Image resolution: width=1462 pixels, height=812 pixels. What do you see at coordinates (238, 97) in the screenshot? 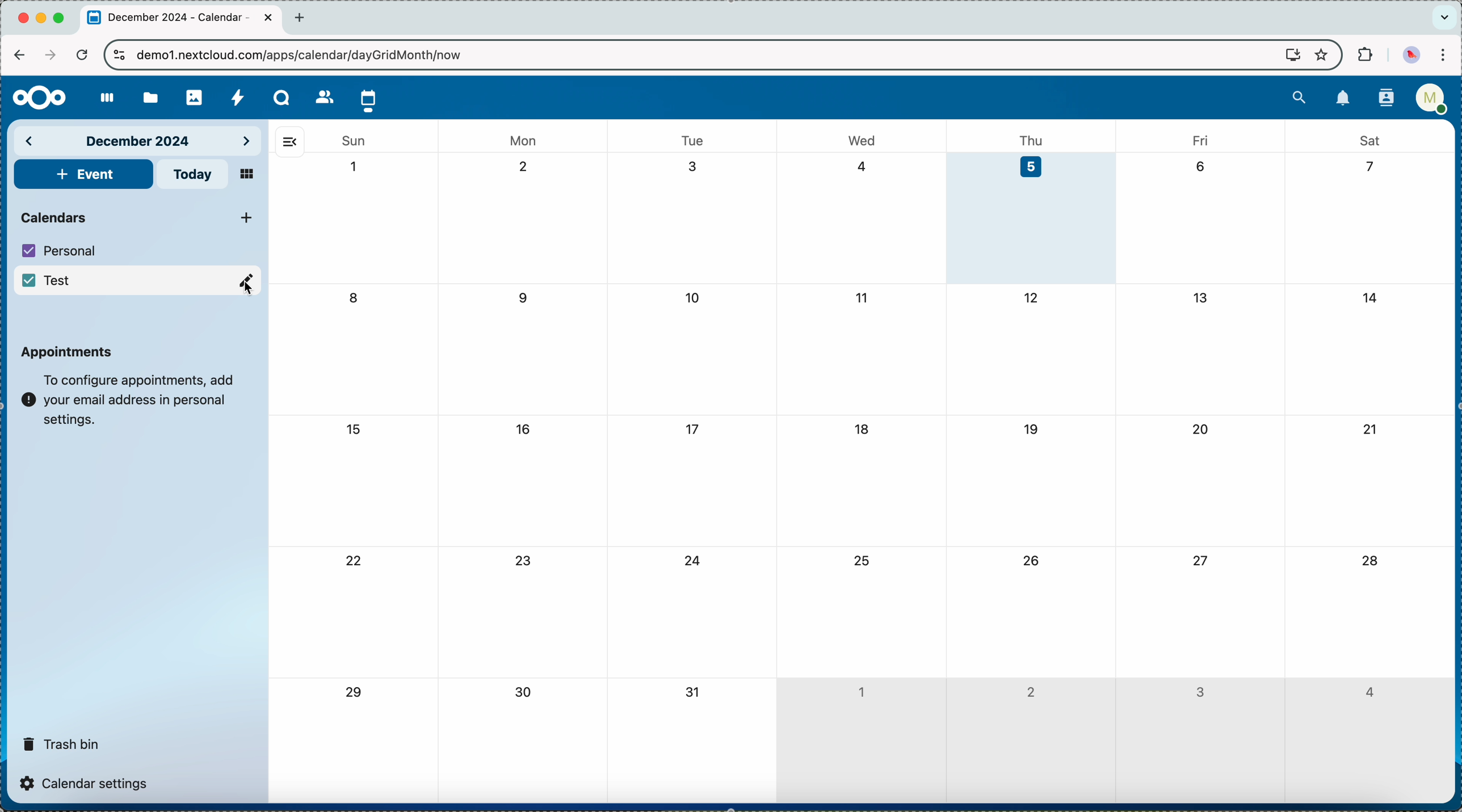
I see `activity` at bounding box center [238, 97].